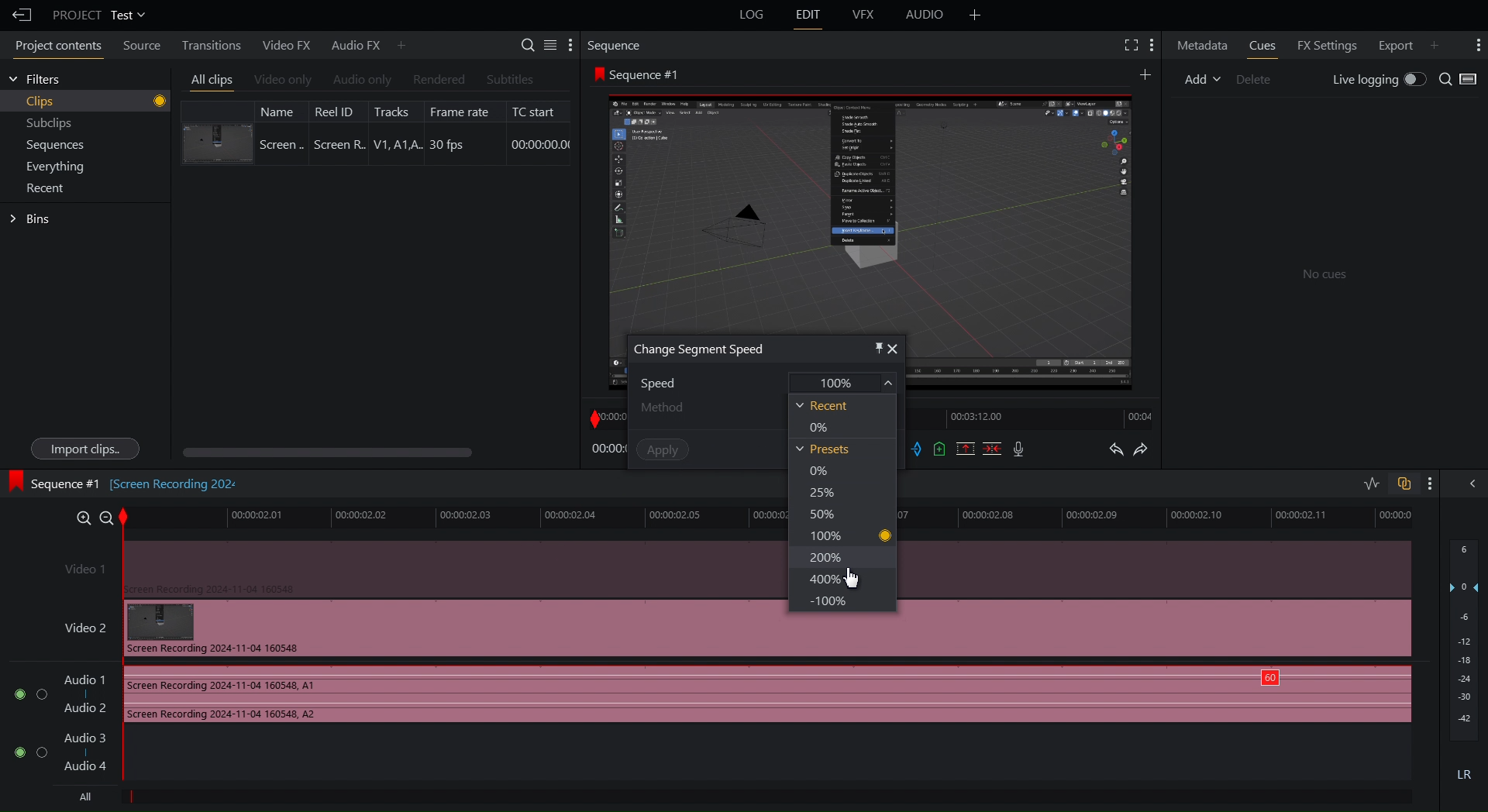 This screenshot has width=1488, height=812. Describe the element at coordinates (284, 45) in the screenshot. I see `Video FX` at that location.